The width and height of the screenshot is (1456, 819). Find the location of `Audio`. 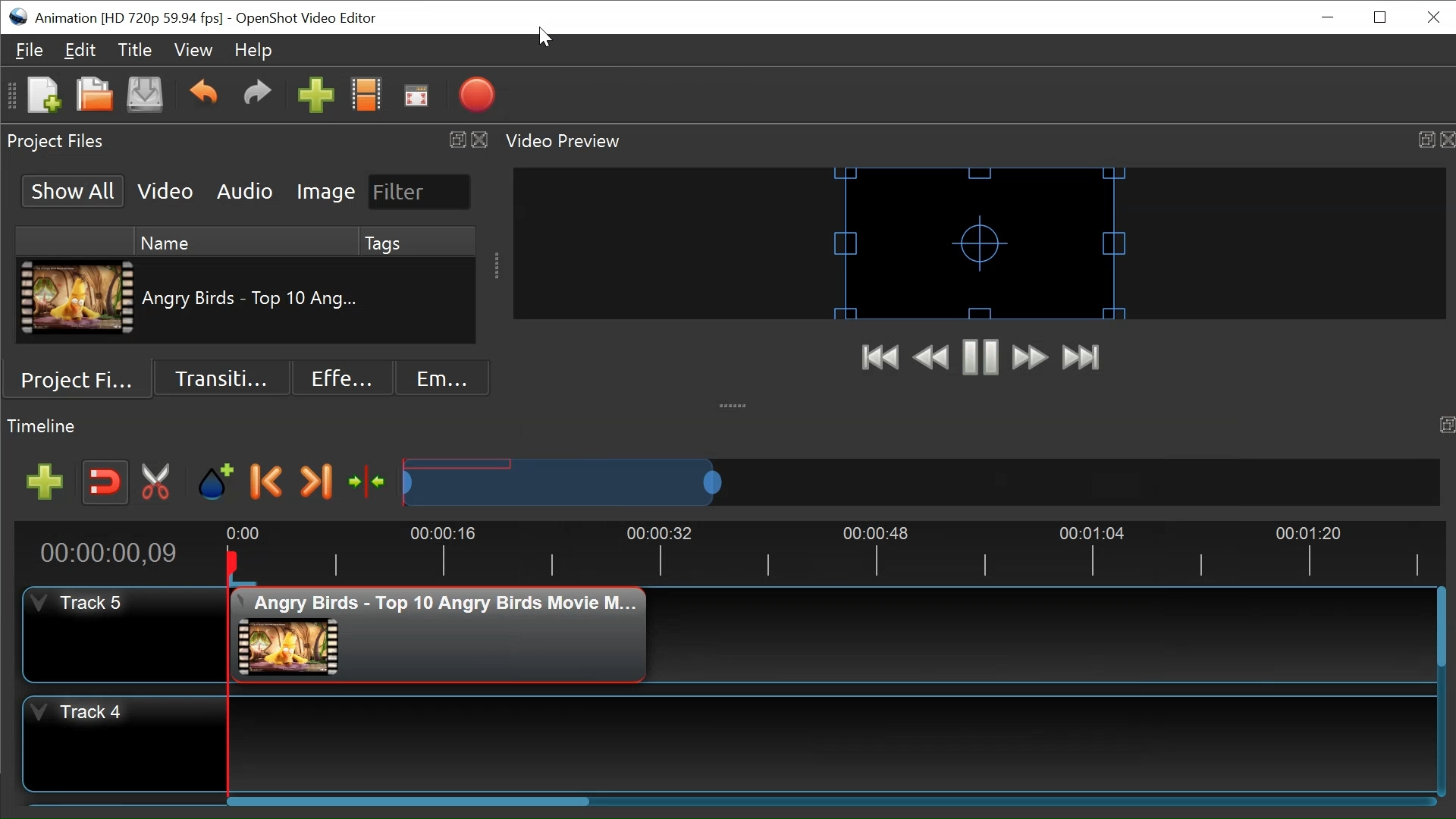

Audio is located at coordinates (247, 190).